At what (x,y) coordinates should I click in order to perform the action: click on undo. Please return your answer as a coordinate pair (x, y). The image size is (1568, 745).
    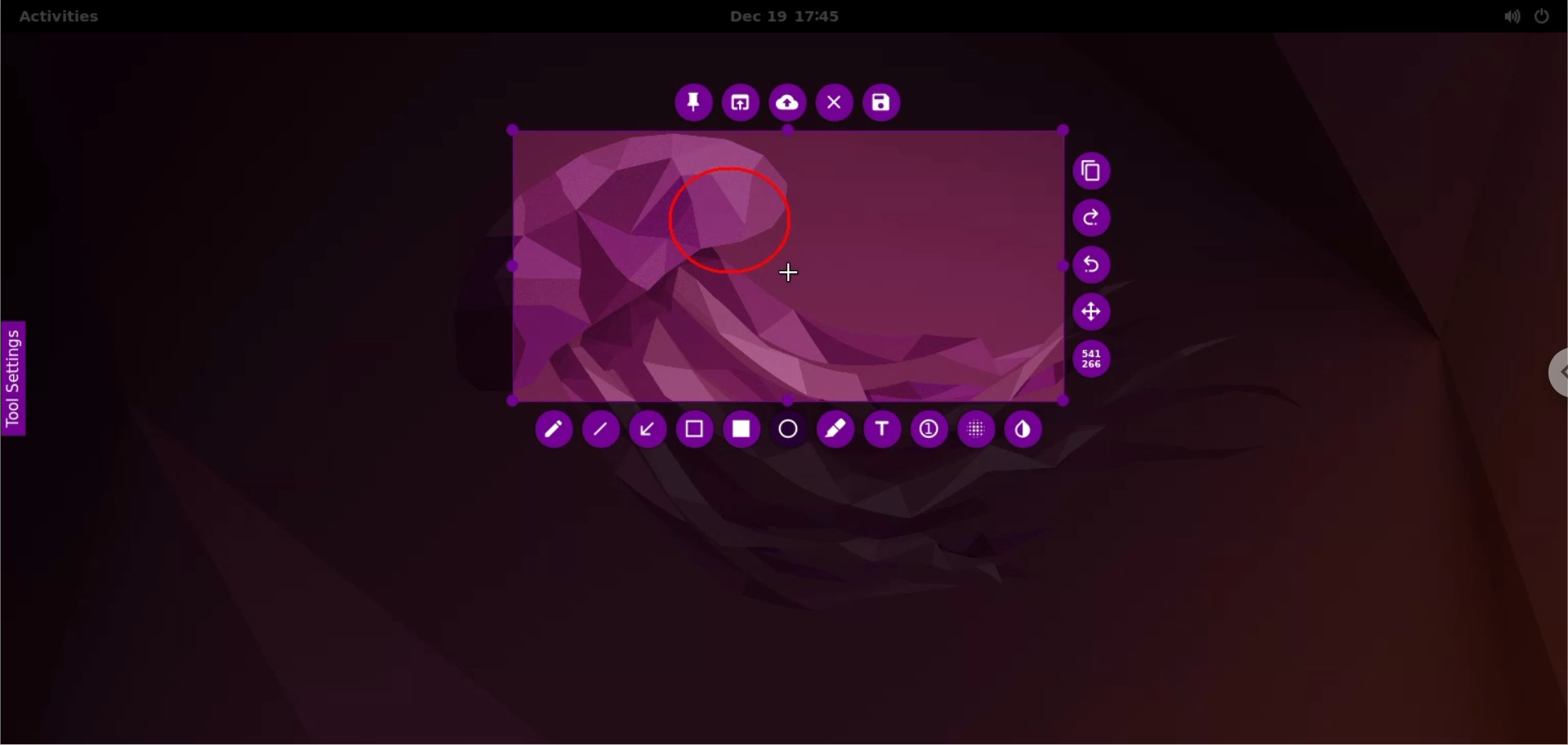
    Looking at the image, I should click on (1098, 266).